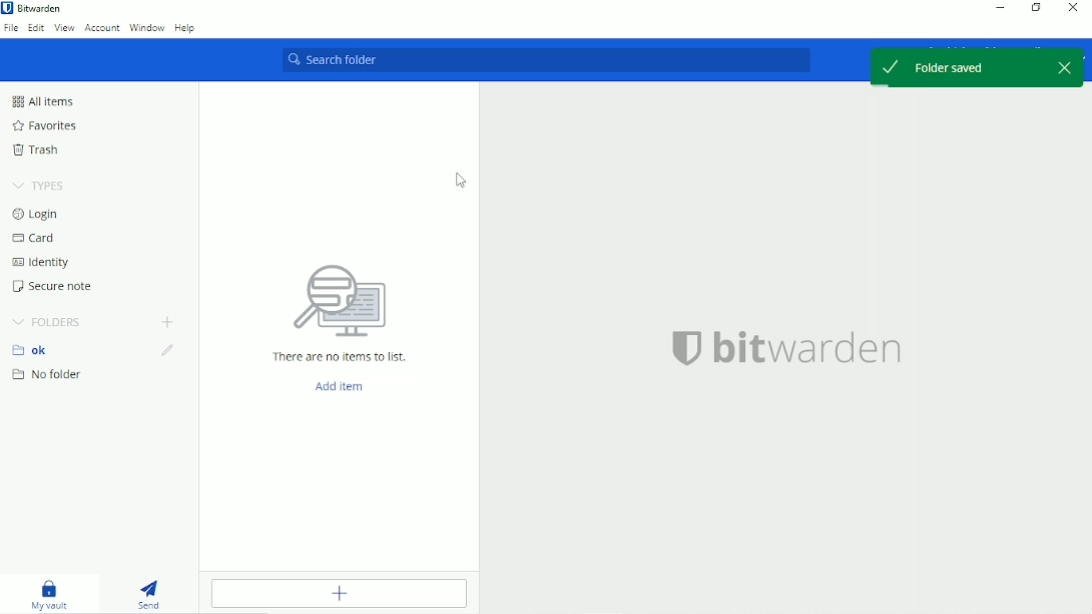 The image size is (1092, 614). I want to click on Edit folder, so click(167, 351).